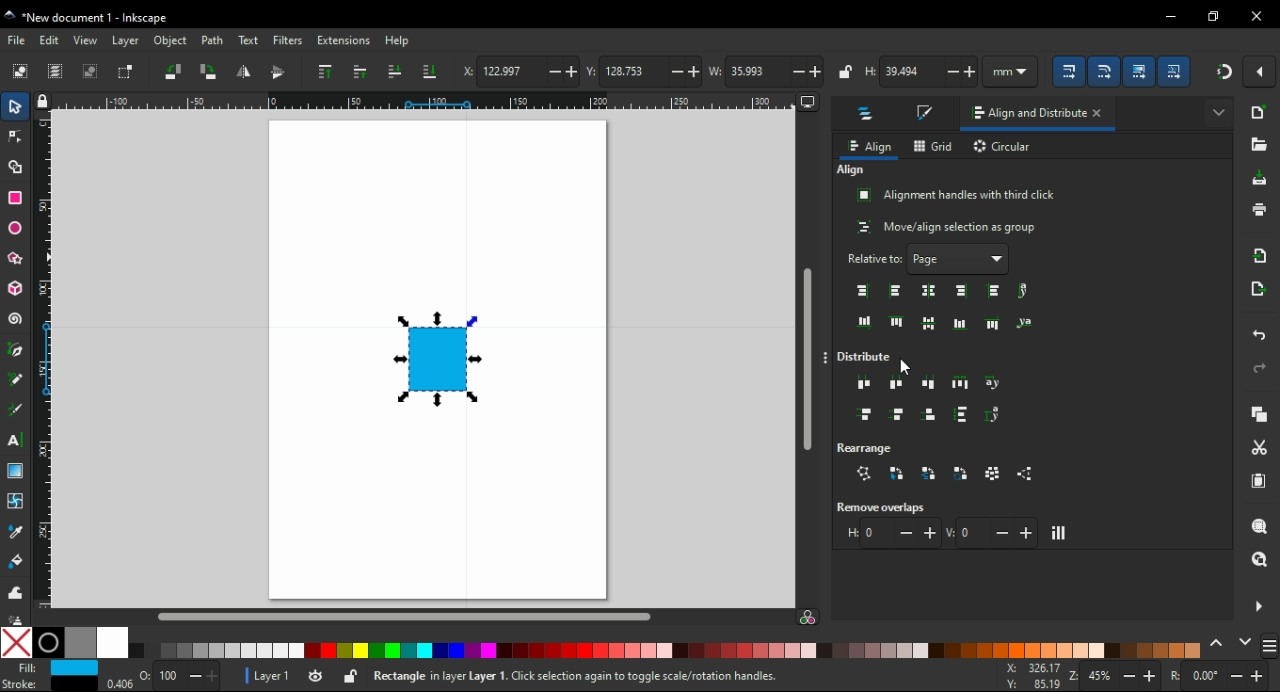 This screenshot has width=1280, height=692. What do you see at coordinates (1108, 70) in the screenshot?
I see `when scaling a rectangle, scale the radii of the rounded corners` at bounding box center [1108, 70].